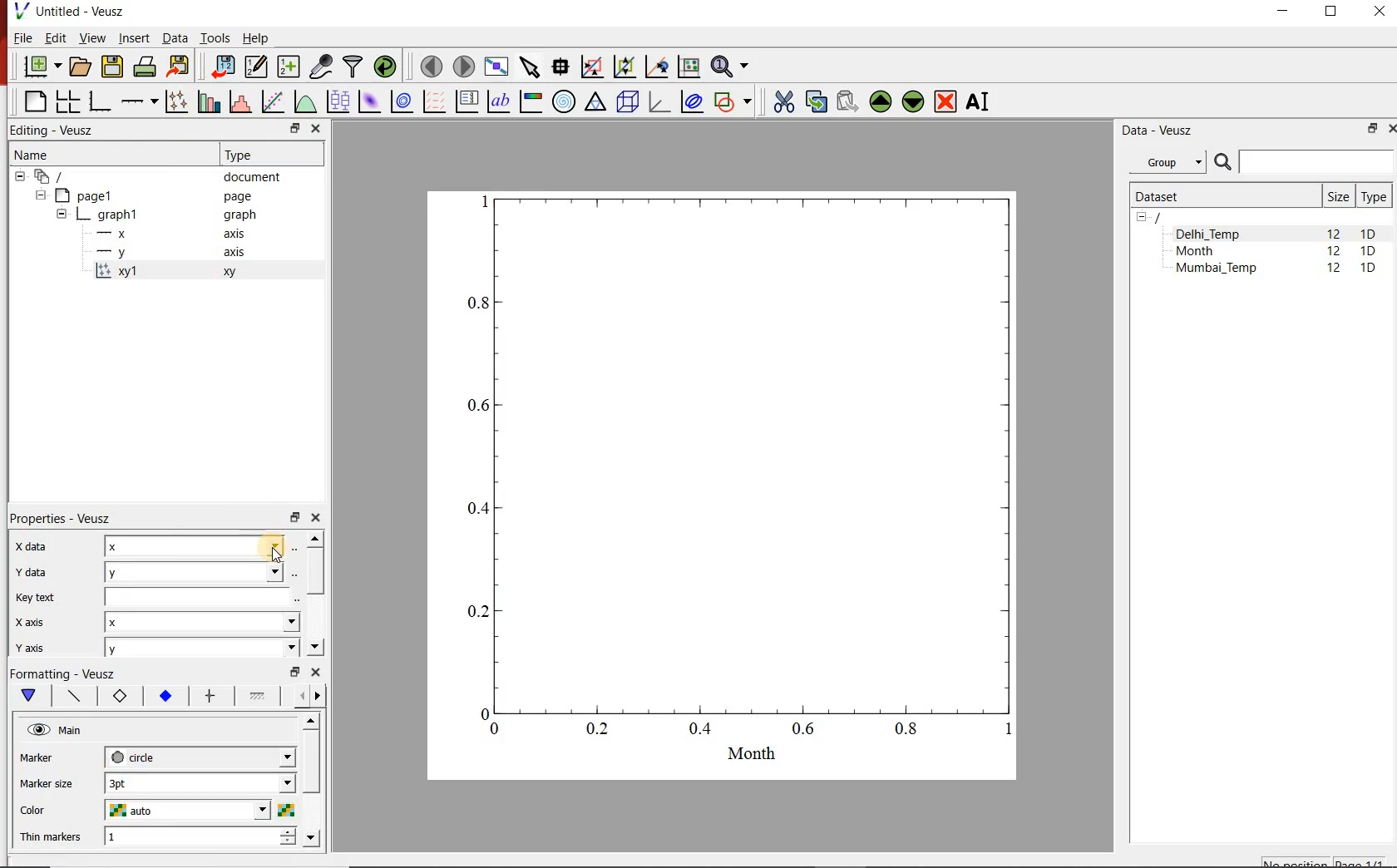 The height and width of the screenshot is (868, 1397). What do you see at coordinates (692, 101) in the screenshot?
I see `plot covariance ellipses` at bounding box center [692, 101].